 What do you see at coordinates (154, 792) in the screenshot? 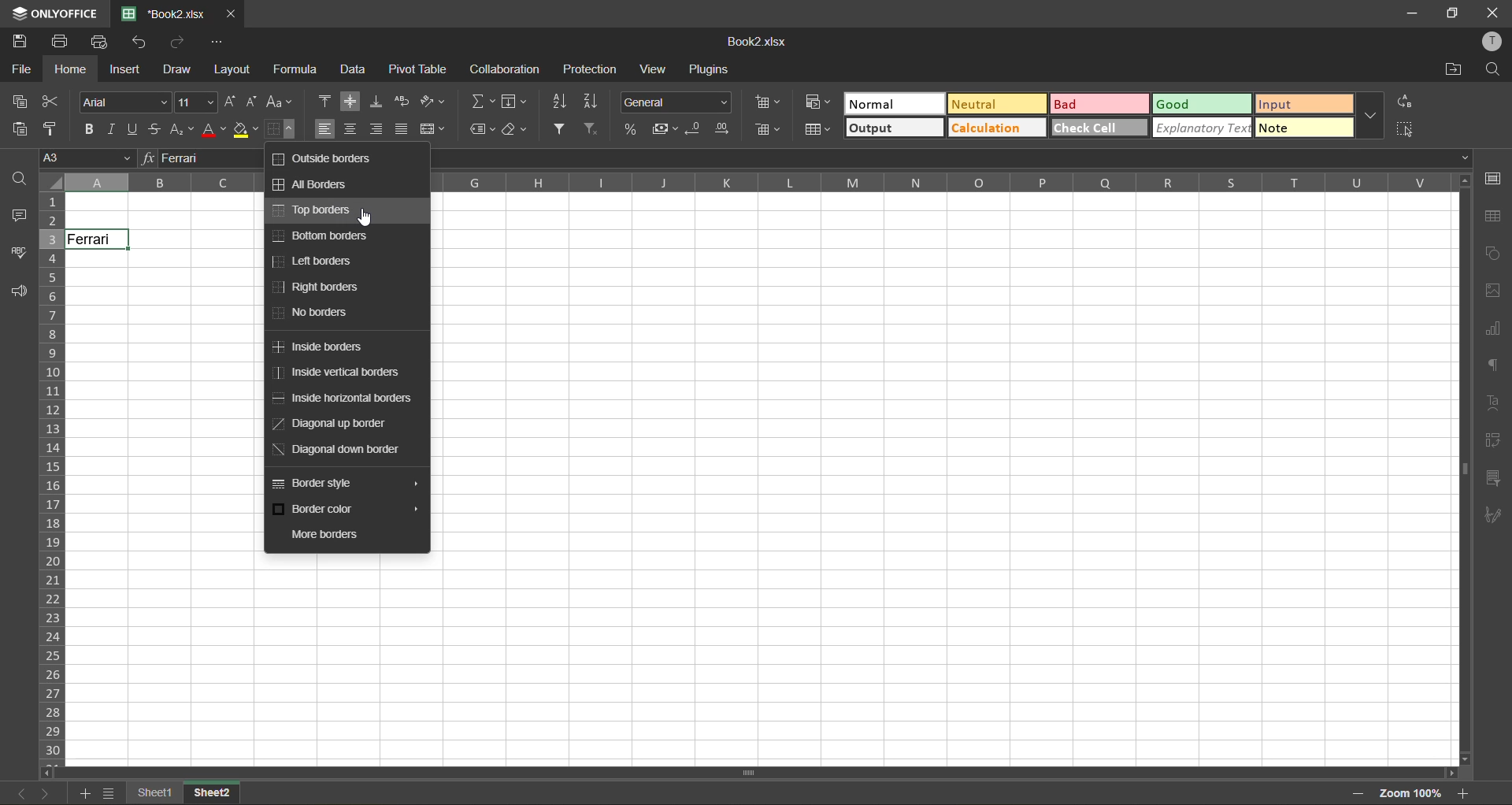
I see `sheet1` at bounding box center [154, 792].